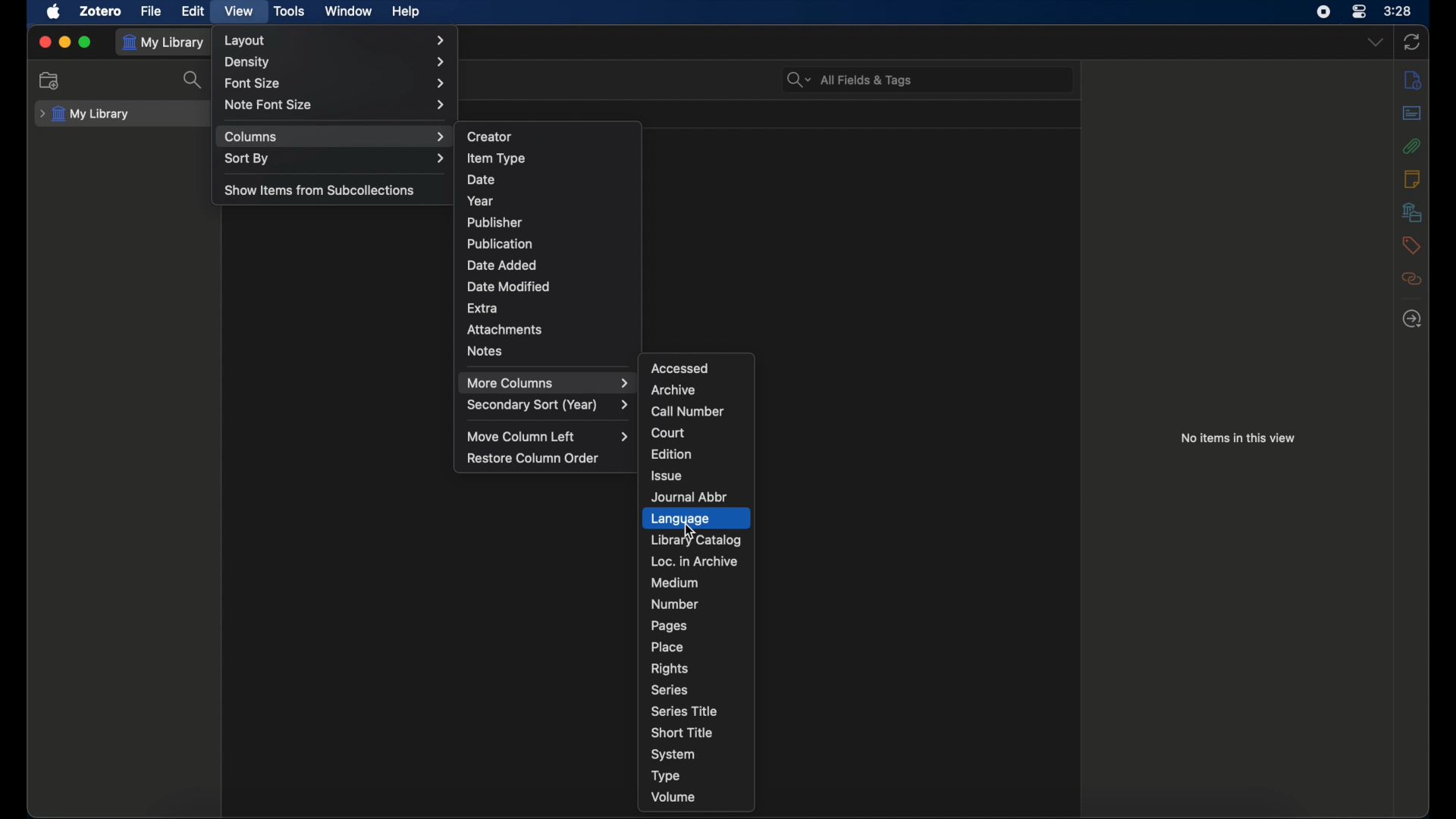 This screenshot has height=819, width=1456. I want to click on Cursor, so click(693, 529).